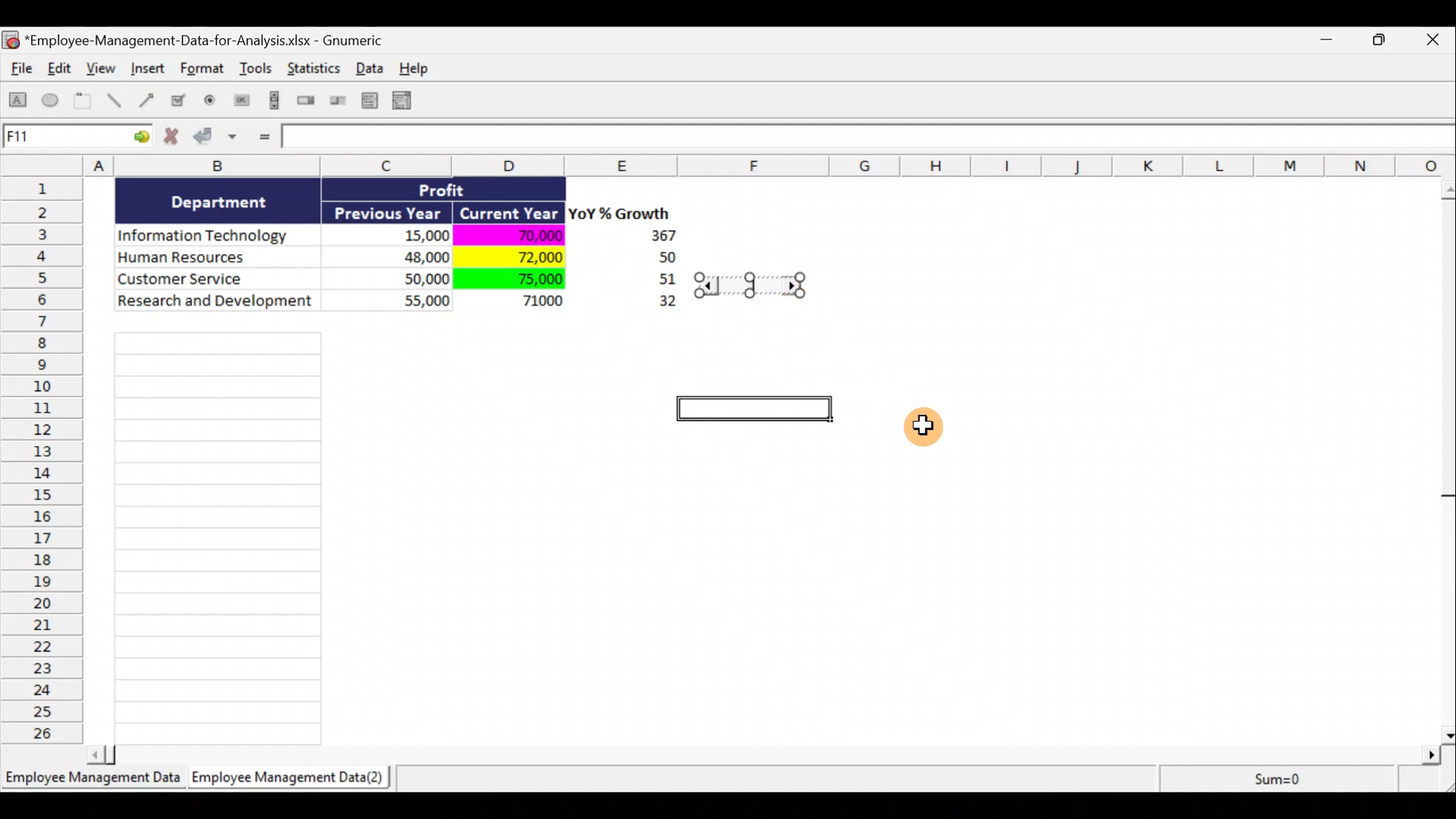 Image resolution: width=1456 pixels, height=819 pixels. Describe the element at coordinates (18, 102) in the screenshot. I see `Create a rectangle object` at that location.